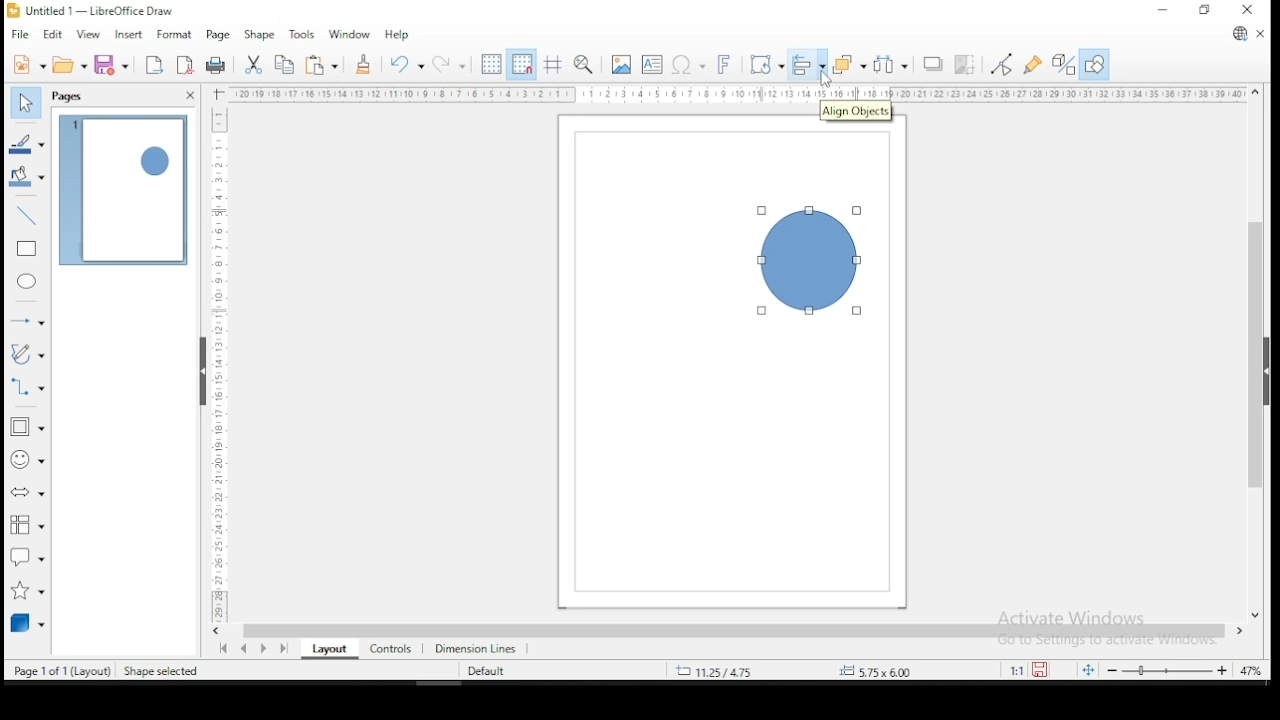  What do you see at coordinates (808, 261) in the screenshot?
I see `shape` at bounding box center [808, 261].